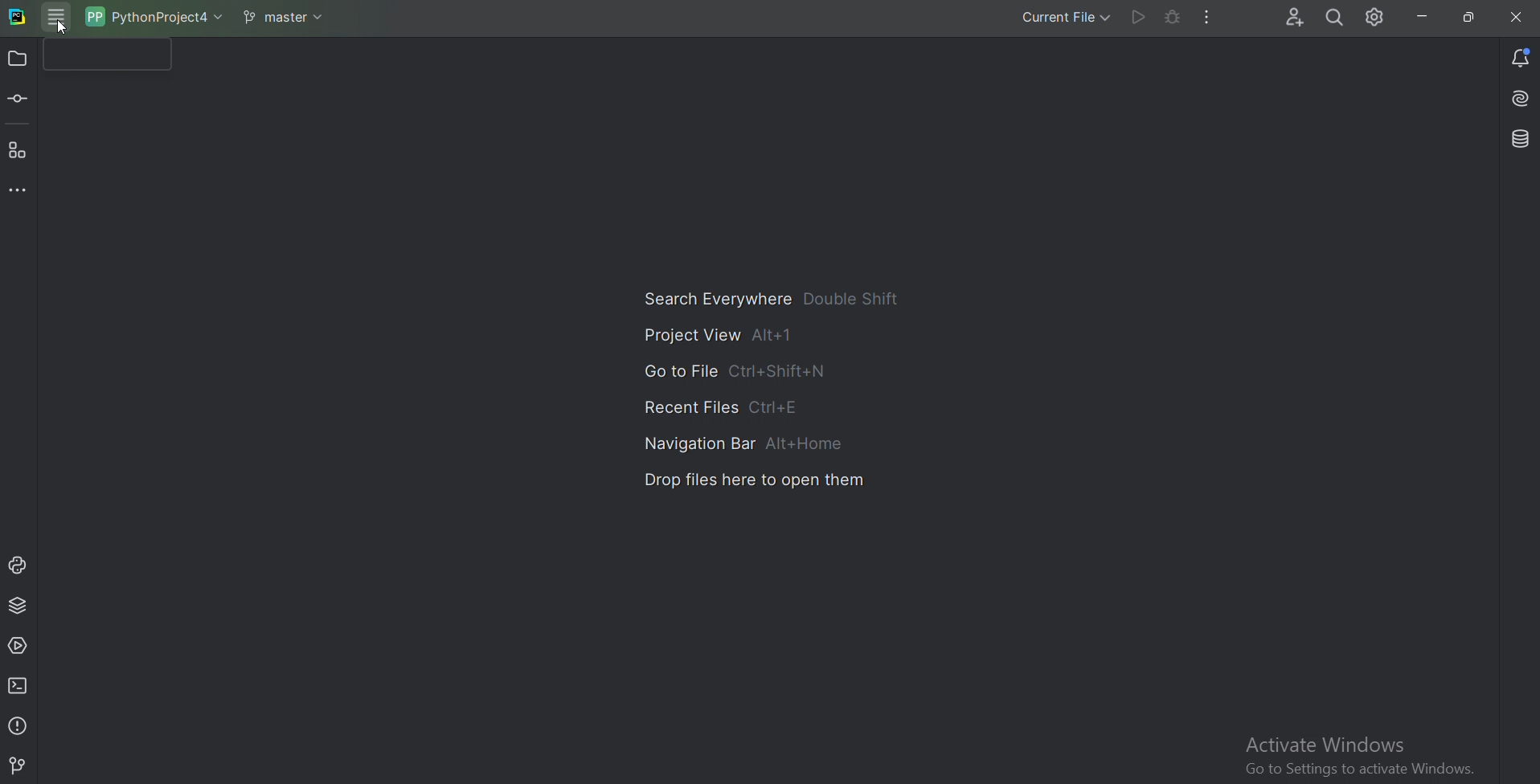 The height and width of the screenshot is (784, 1540). Describe the element at coordinates (18, 725) in the screenshot. I see `Problems` at that location.